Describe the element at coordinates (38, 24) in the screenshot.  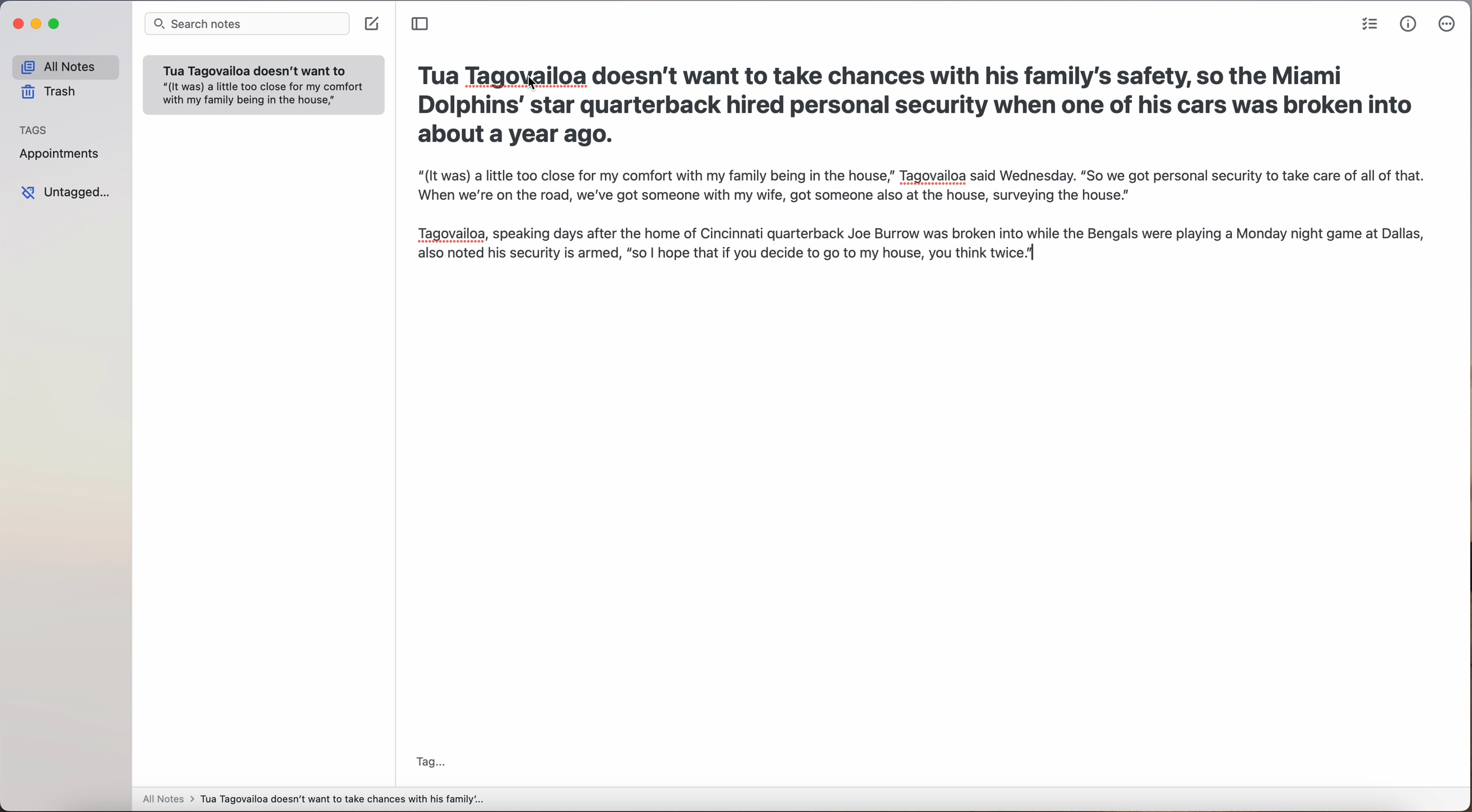
I see `minimize Simplenote` at that location.